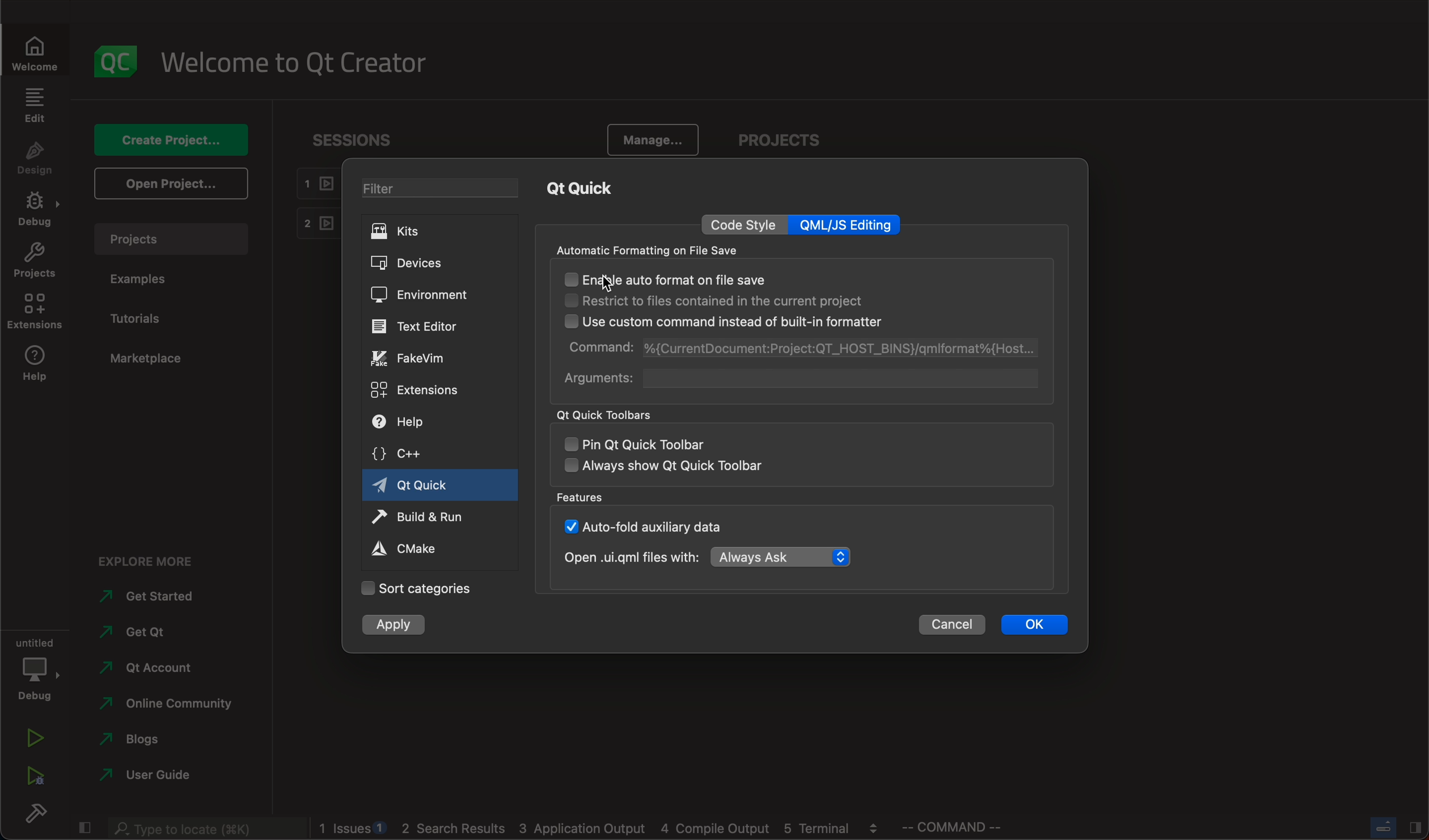  I want to click on welcome, so click(297, 63).